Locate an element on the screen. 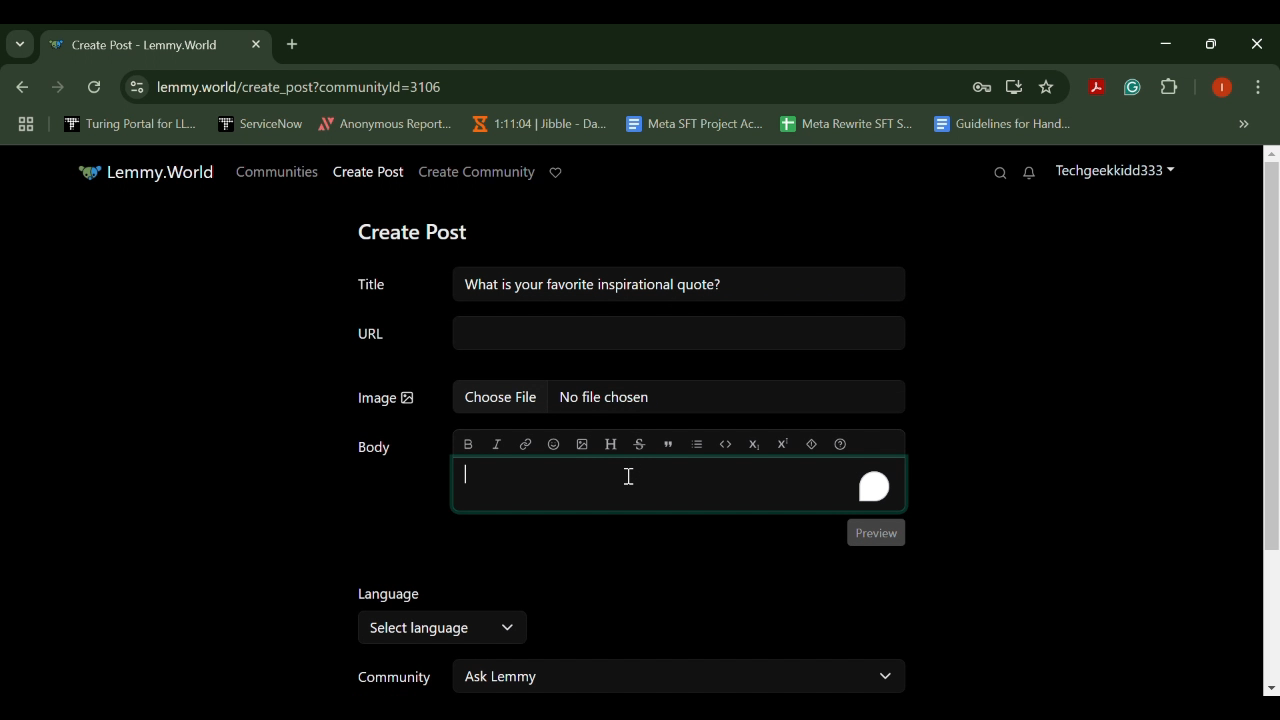 The width and height of the screenshot is (1280, 720). Meta Rewrite SFT S... is located at coordinates (847, 125).